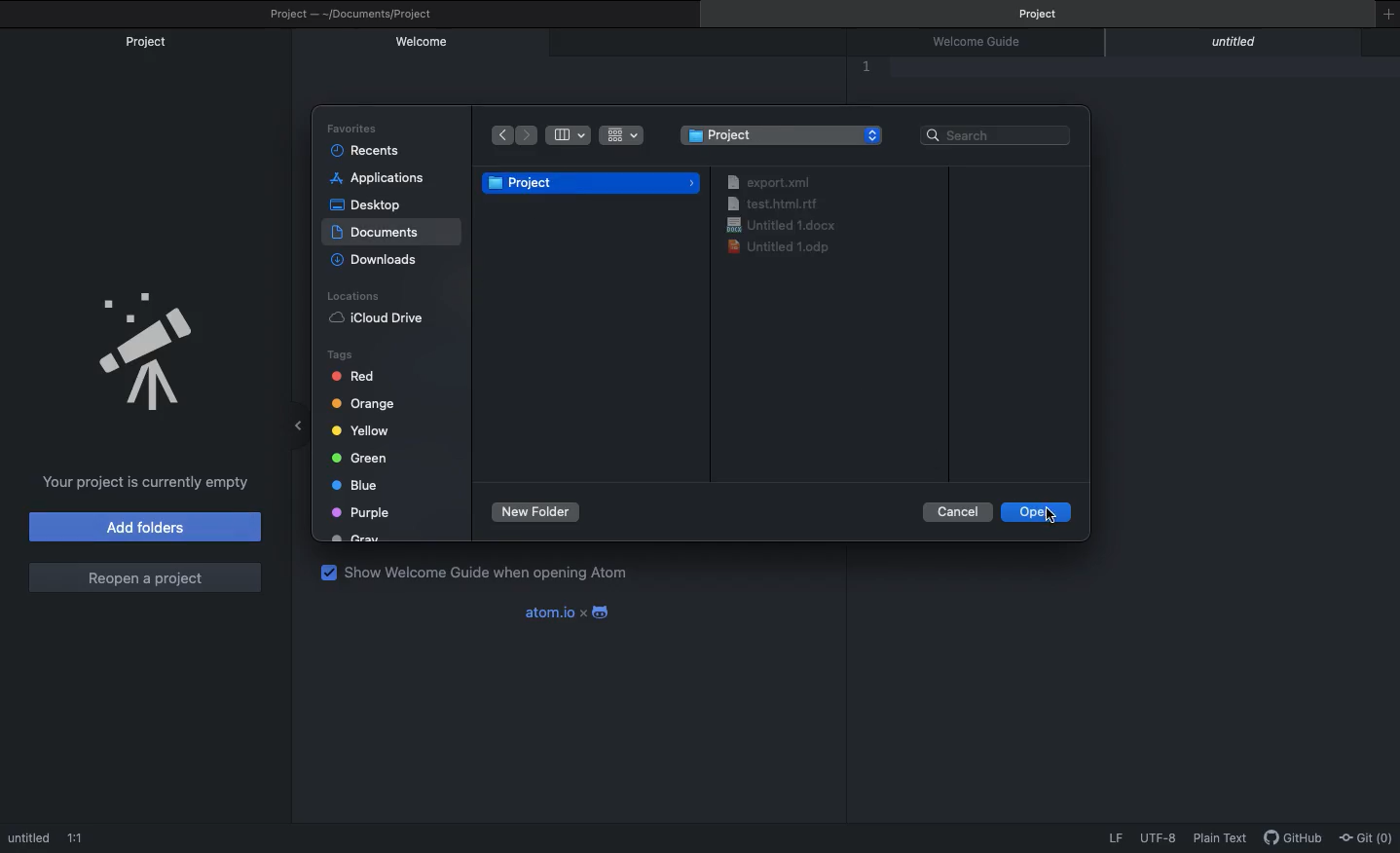 Image resolution: width=1400 pixels, height=853 pixels. I want to click on Untitled, so click(1239, 44).